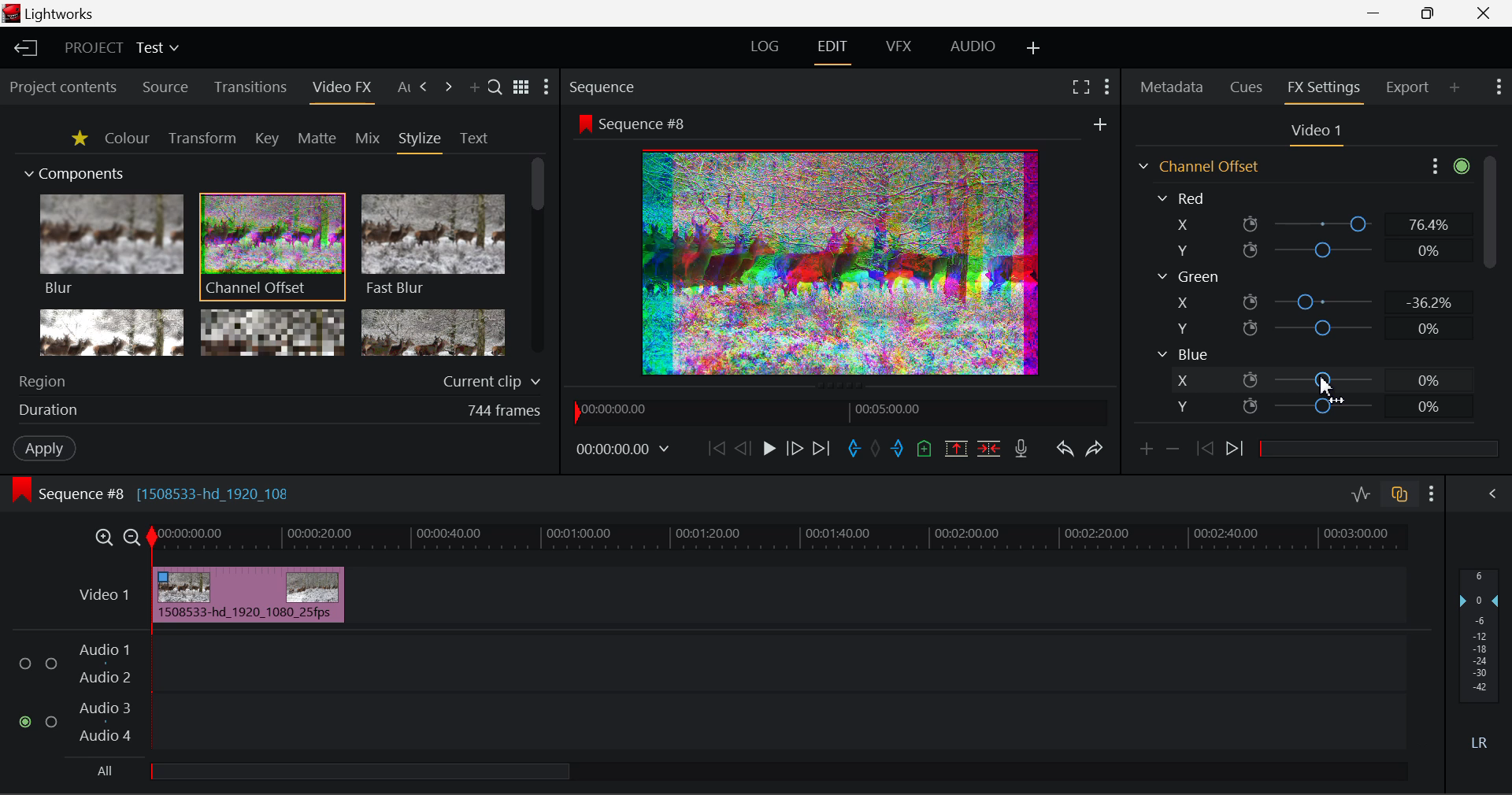  I want to click on Export, so click(1408, 87).